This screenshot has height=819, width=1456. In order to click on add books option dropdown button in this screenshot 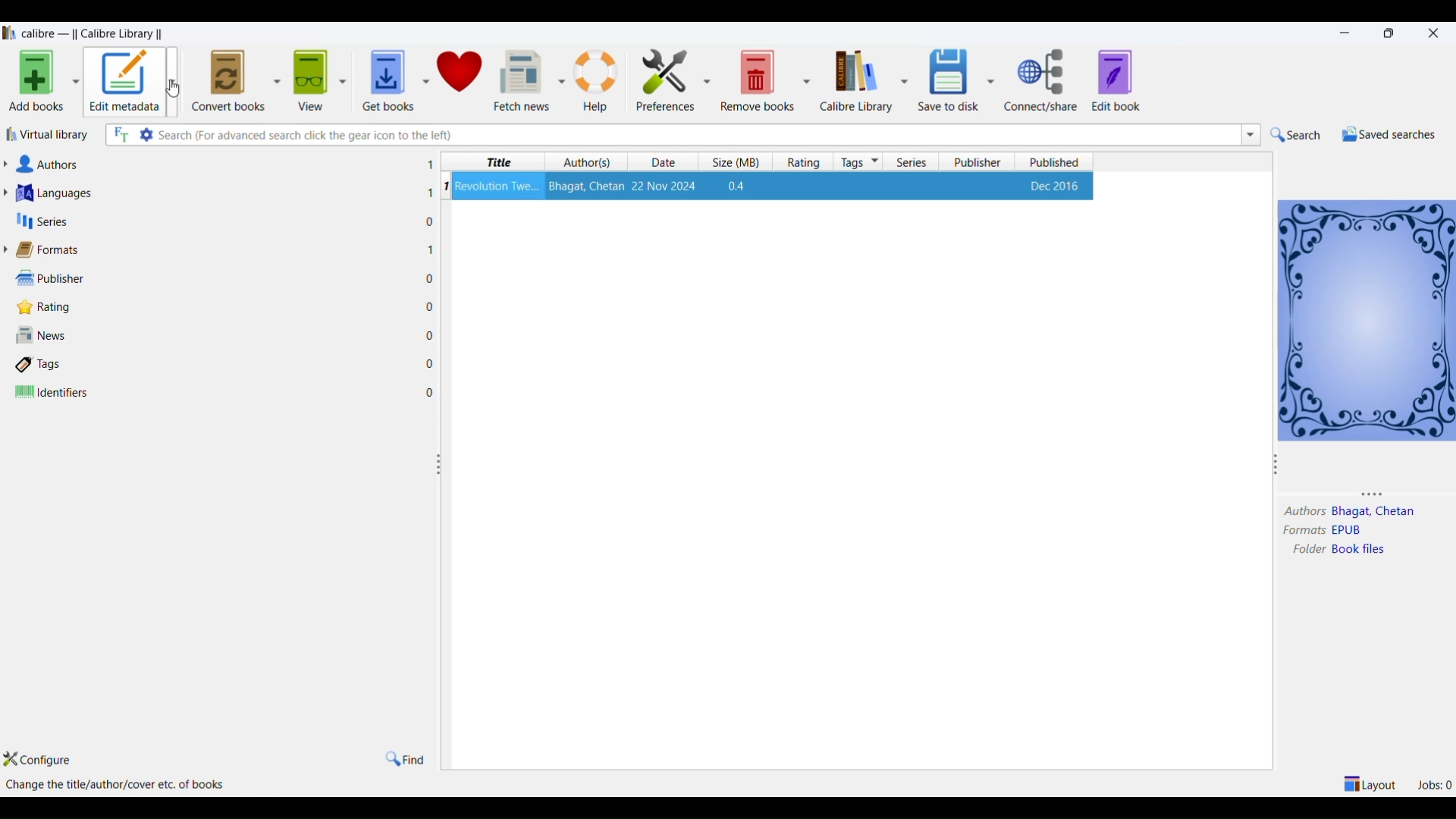, I will do `click(76, 83)`.